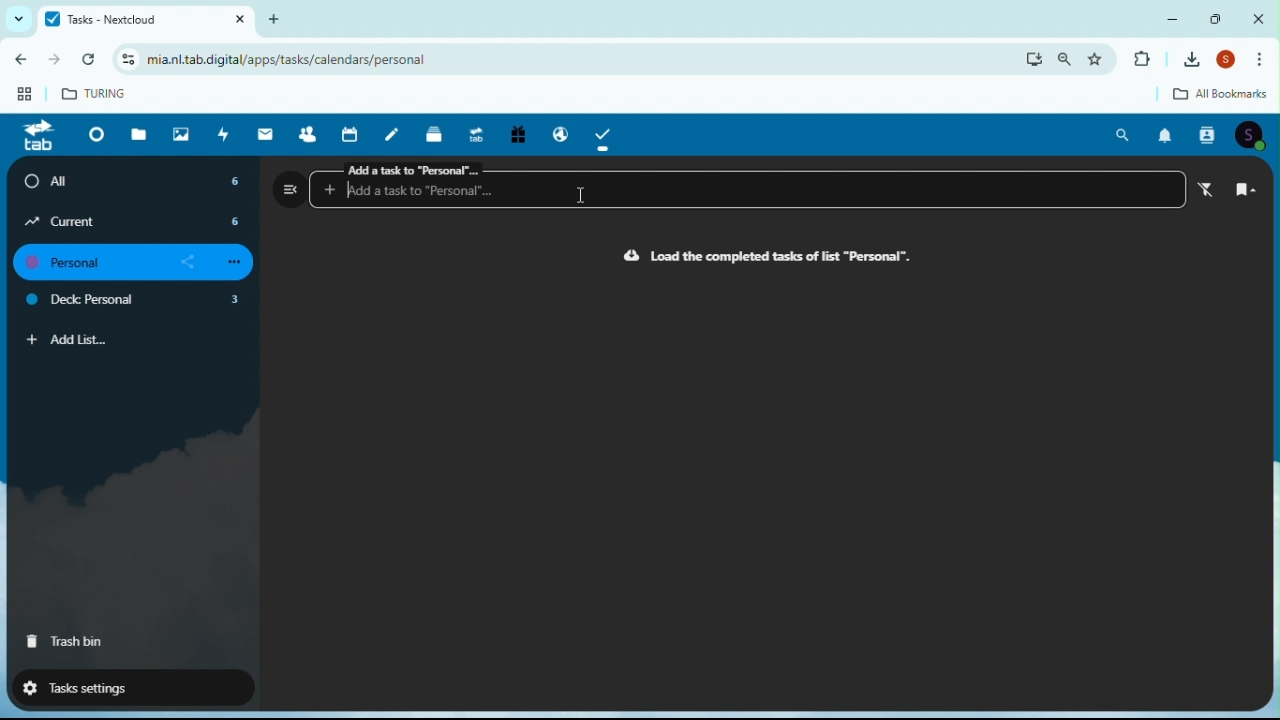 This screenshot has width=1280, height=720. Describe the element at coordinates (307, 133) in the screenshot. I see `Contacts` at that location.